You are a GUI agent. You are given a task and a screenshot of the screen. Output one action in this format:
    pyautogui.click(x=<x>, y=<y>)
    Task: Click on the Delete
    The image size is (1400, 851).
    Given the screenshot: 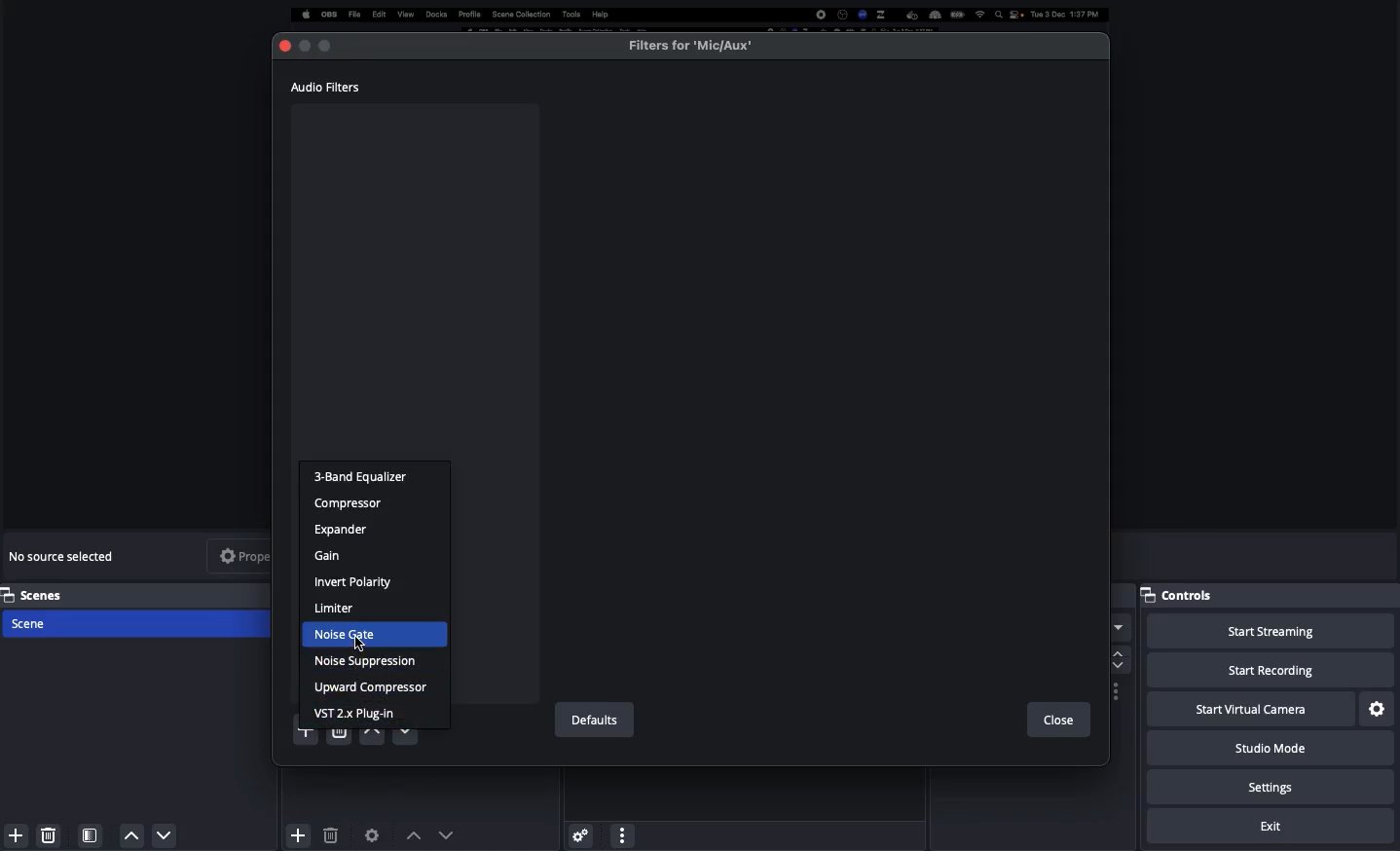 What is the action you would take?
    pyautogui.click(x=49, y=832)
    